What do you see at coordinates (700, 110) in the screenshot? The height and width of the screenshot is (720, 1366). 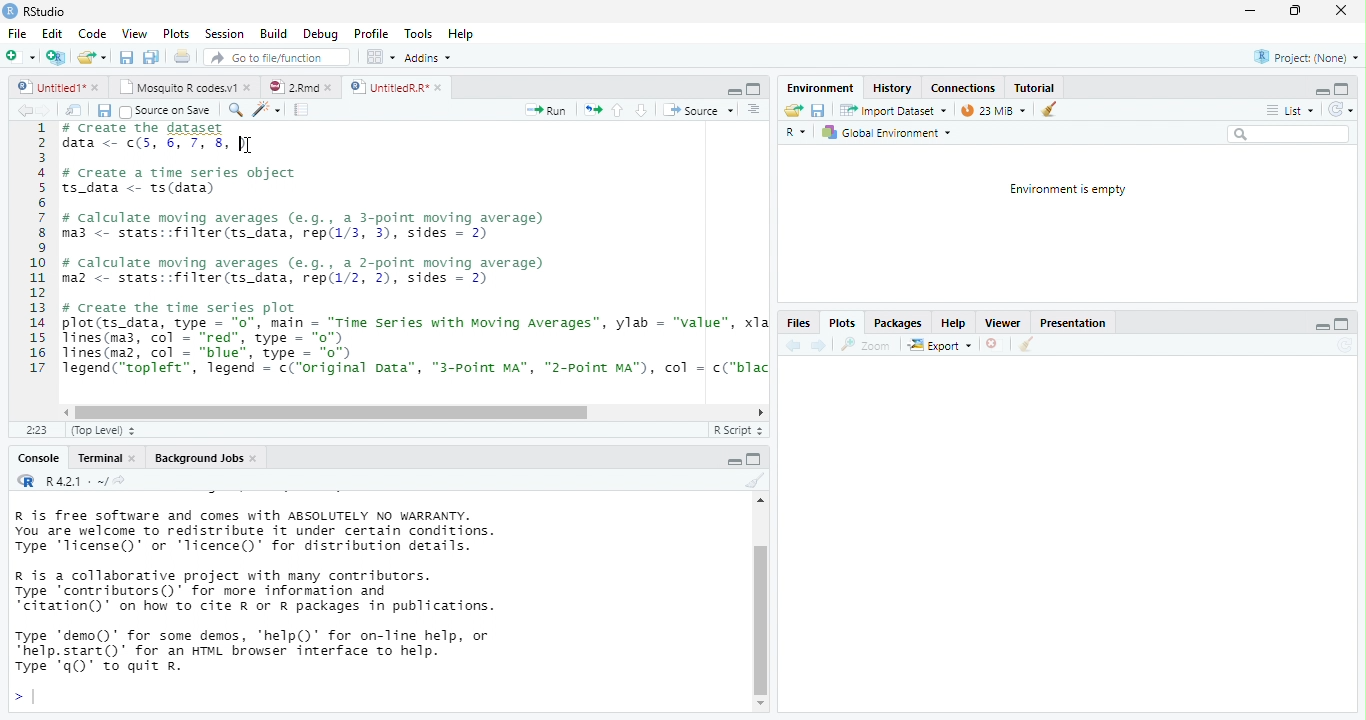 I see `‘Source` at bounding box center [700, 110].